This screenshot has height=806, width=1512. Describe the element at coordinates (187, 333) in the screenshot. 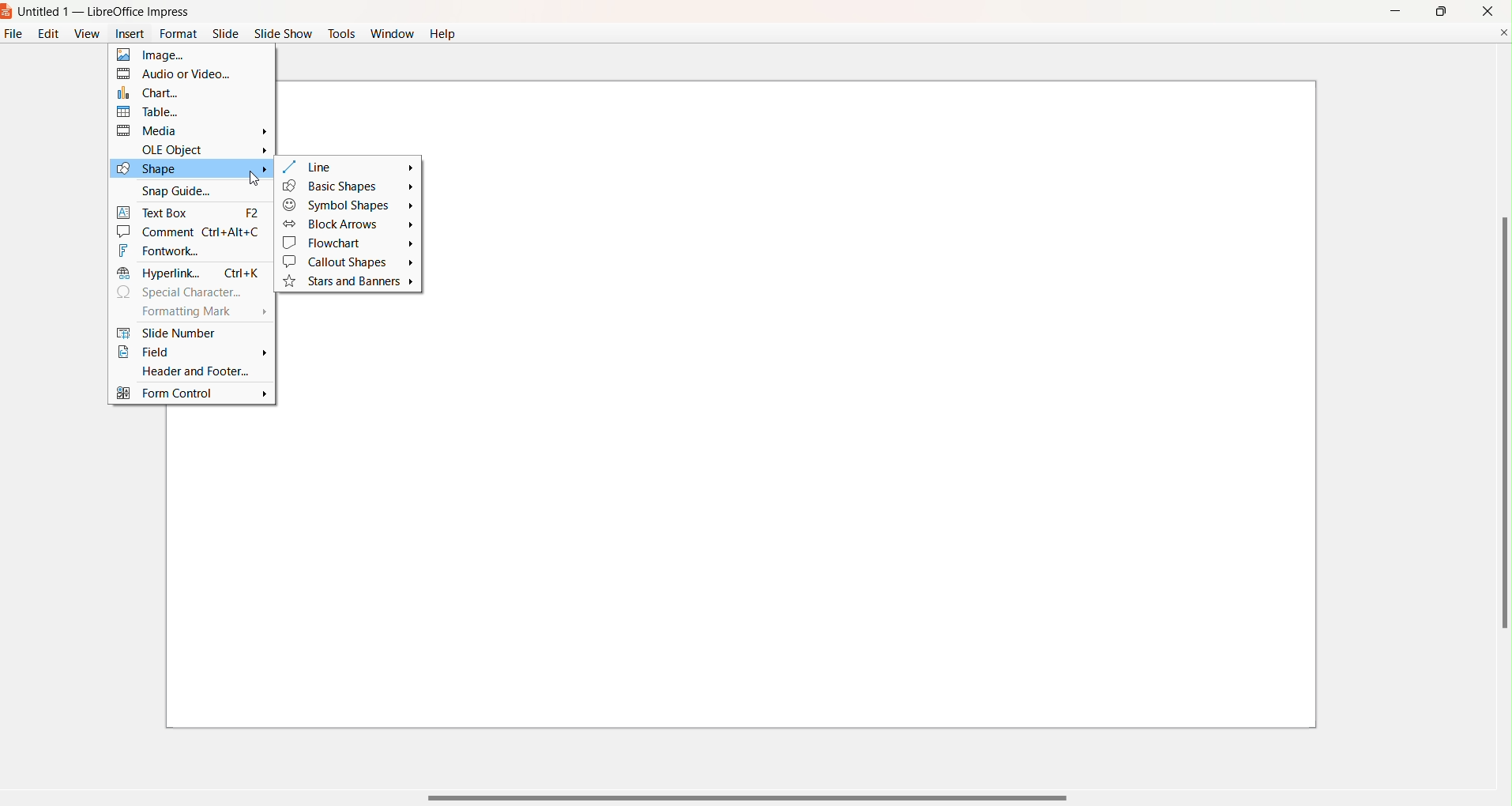

I see `Slide Number` at that location.